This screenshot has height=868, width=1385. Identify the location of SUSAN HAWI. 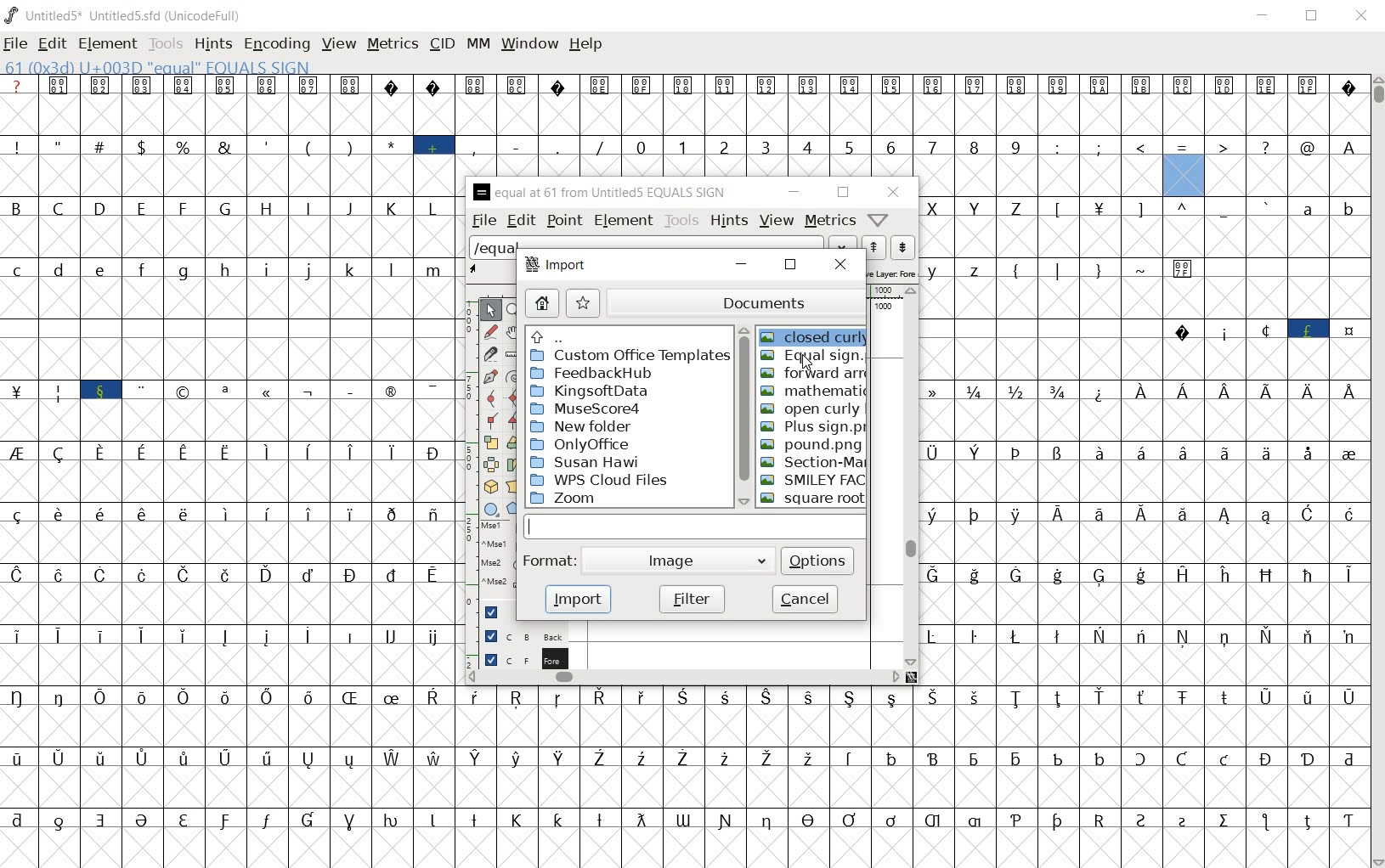
(591, 463).